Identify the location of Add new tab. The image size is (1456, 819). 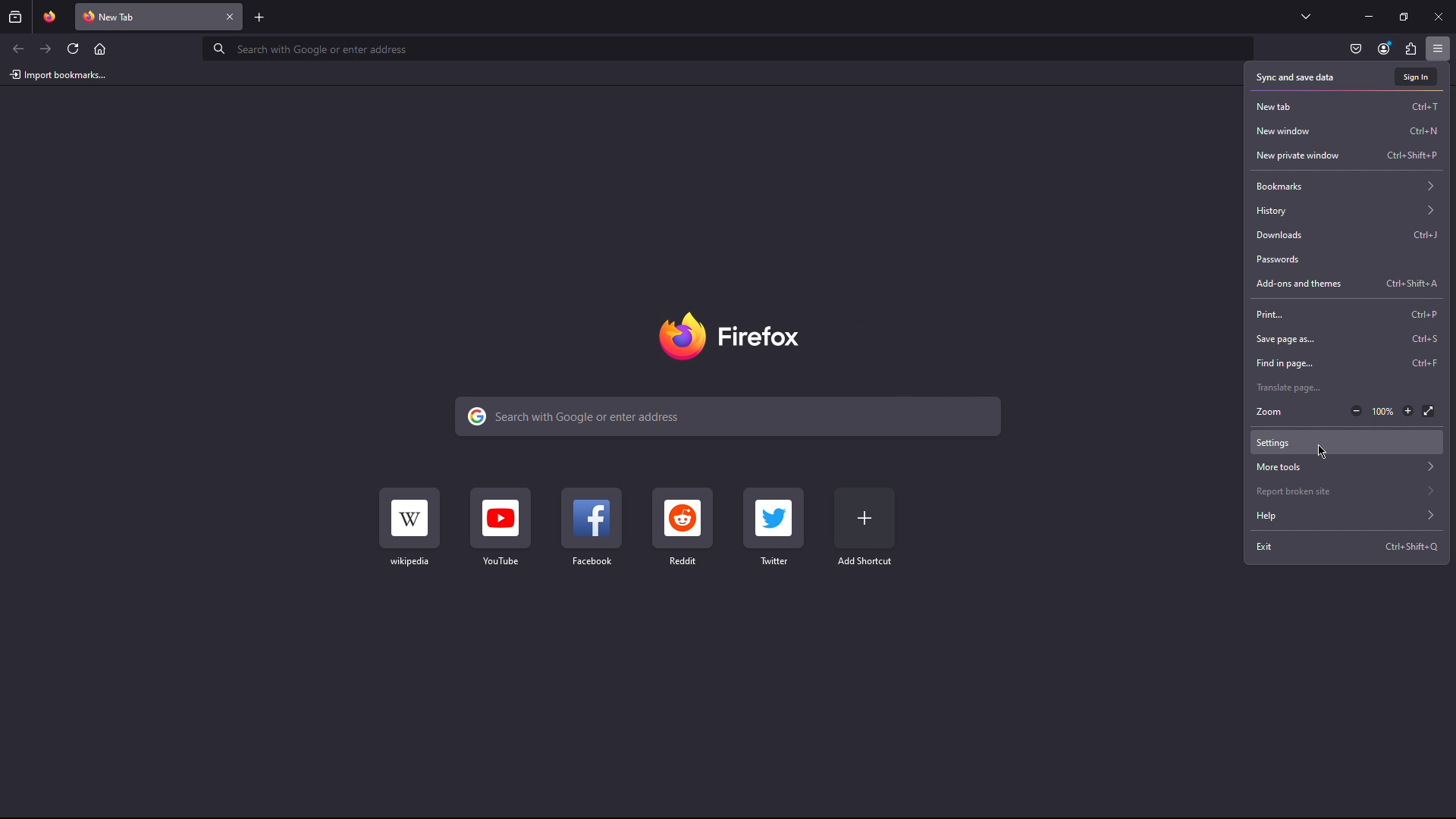
(260, 17).